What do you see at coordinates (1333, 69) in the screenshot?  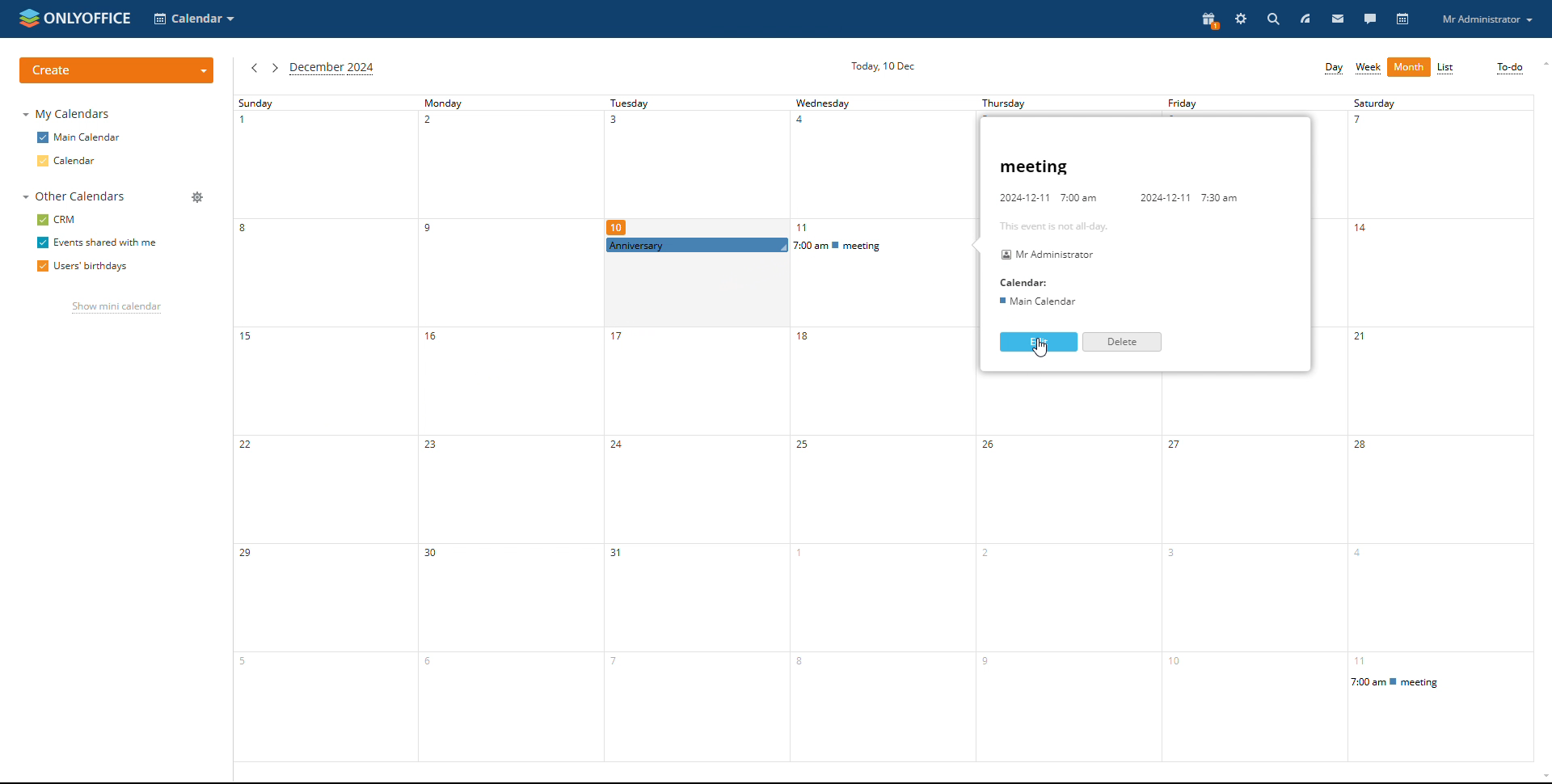 I see `day view` at bounding box center [1333, 69].